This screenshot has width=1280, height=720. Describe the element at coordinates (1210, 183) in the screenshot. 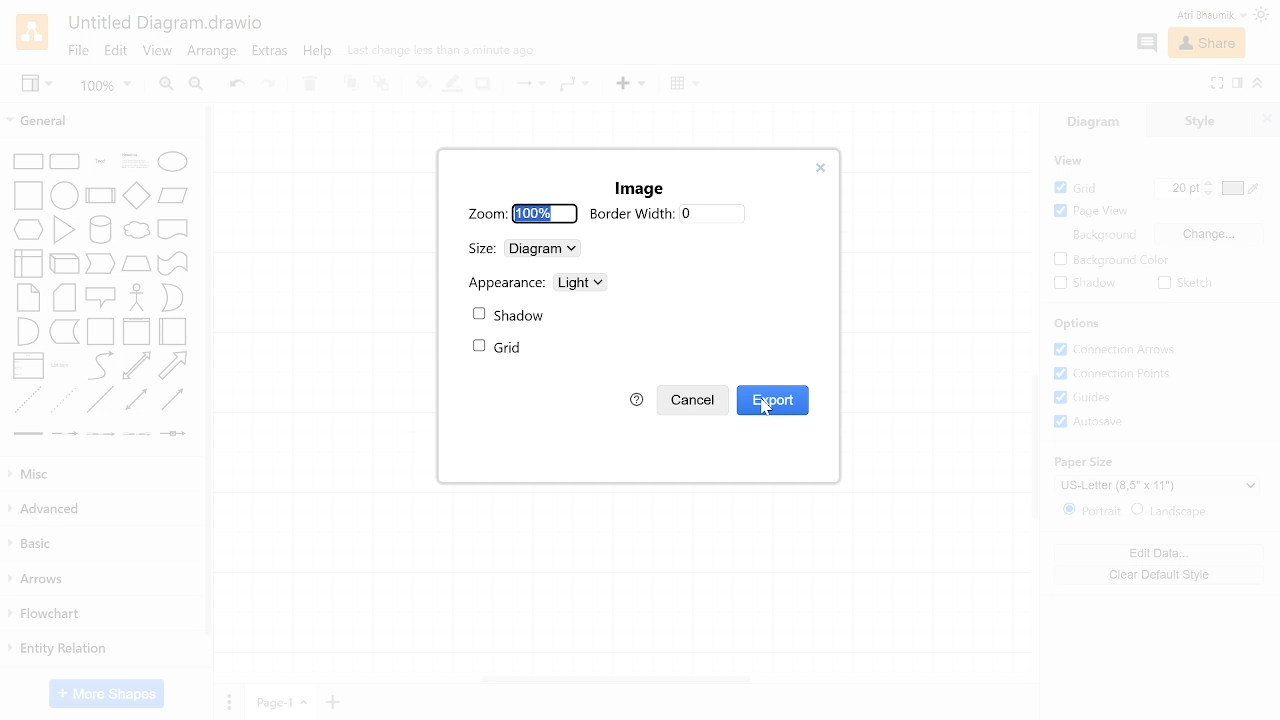

I see `Increase grid pts` at that location.